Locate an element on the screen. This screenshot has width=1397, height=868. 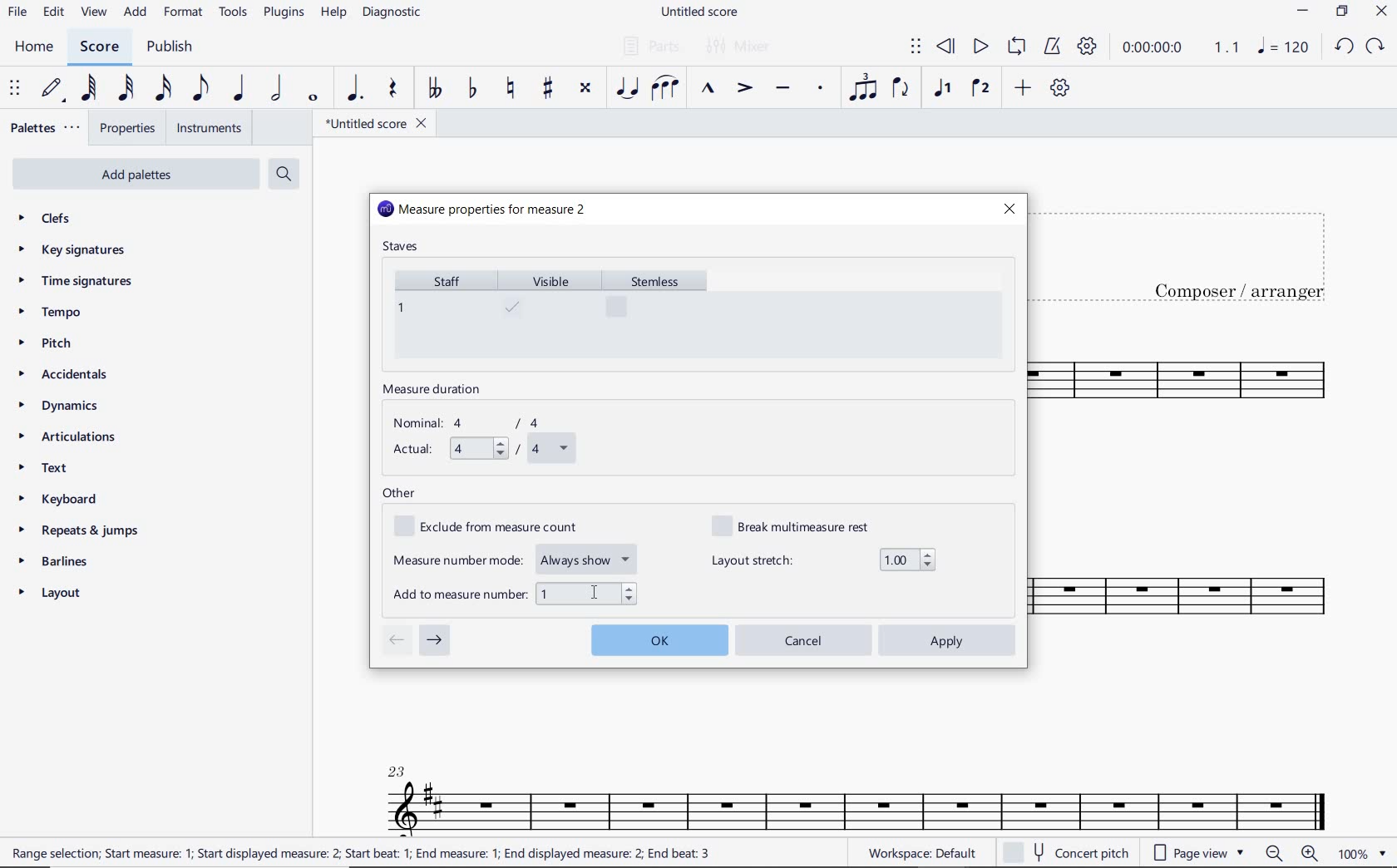
LOOP PLAYBACK is located at coordinates (1016, 48).